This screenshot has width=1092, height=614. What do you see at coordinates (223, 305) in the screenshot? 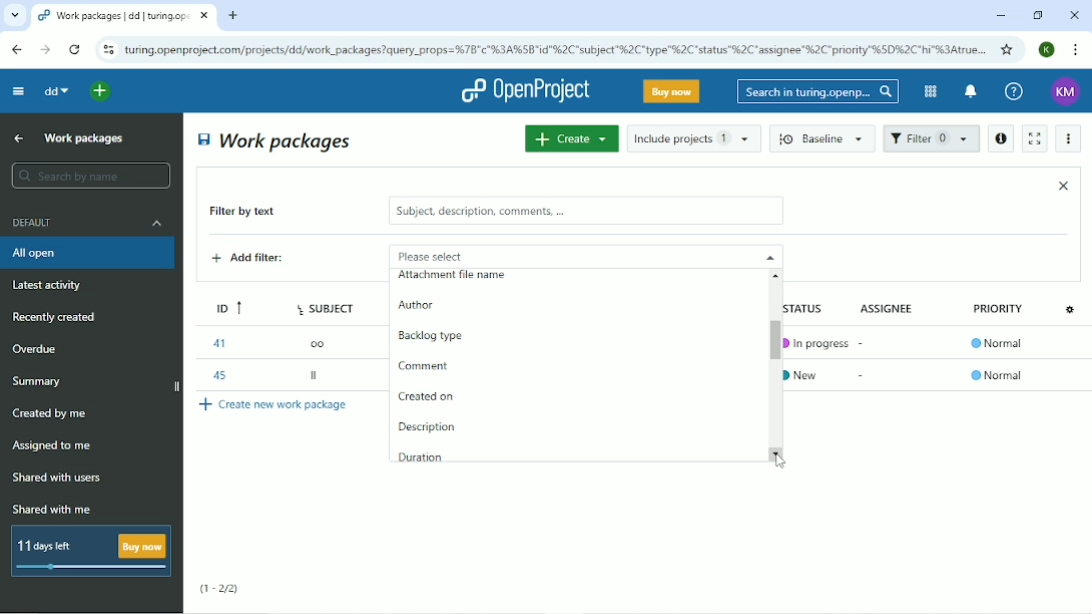
I see `ID` at bounding box center [223, 305].